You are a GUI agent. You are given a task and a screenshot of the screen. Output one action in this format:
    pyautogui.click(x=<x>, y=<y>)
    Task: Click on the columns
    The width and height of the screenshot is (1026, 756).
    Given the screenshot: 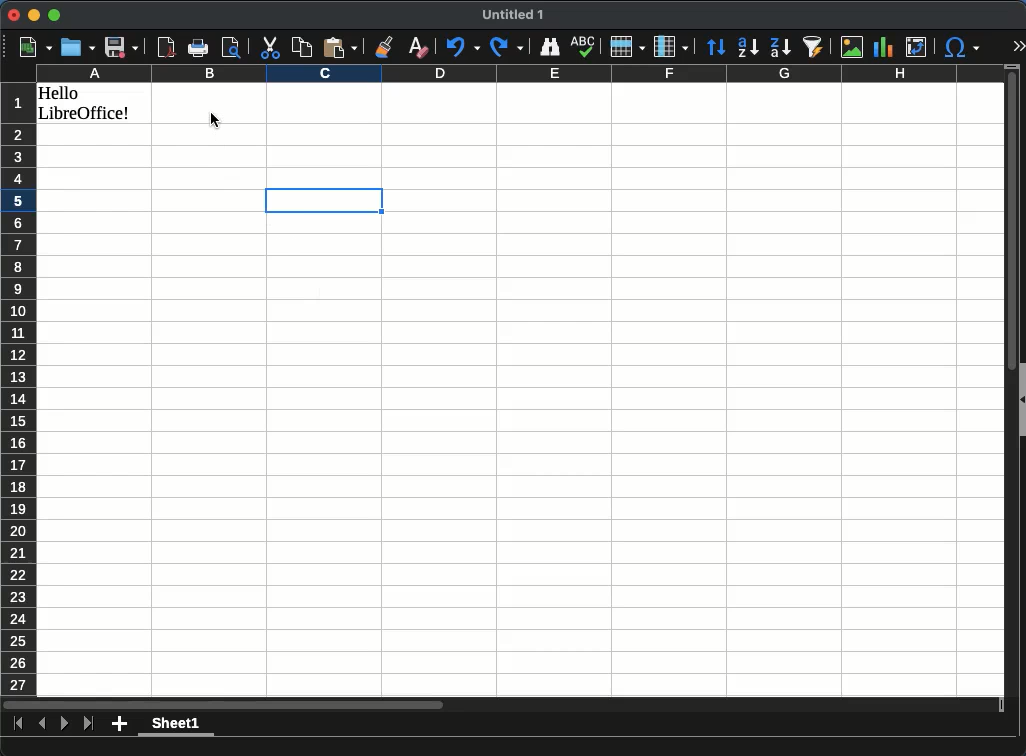 What is the action you would take?
    pyautogui.click(x=518, y=73)
    